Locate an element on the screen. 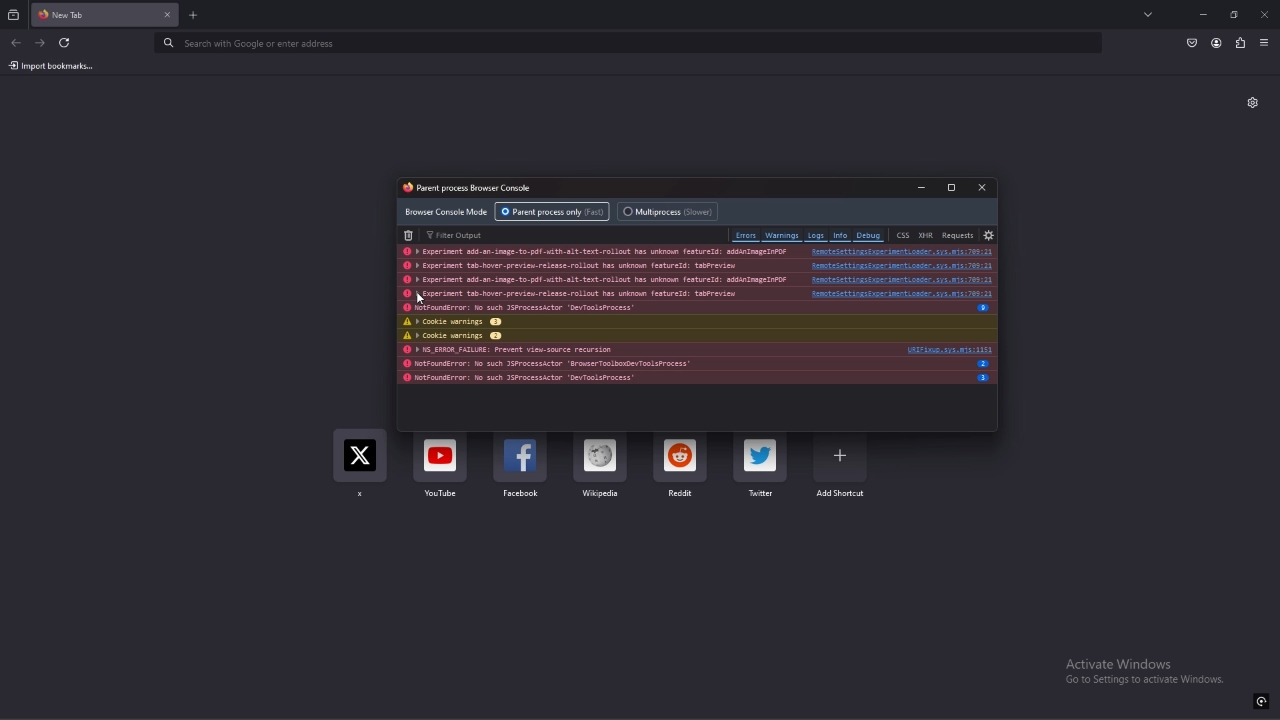 The image size is (1280, 720). info is located at coordinates (841, 236).